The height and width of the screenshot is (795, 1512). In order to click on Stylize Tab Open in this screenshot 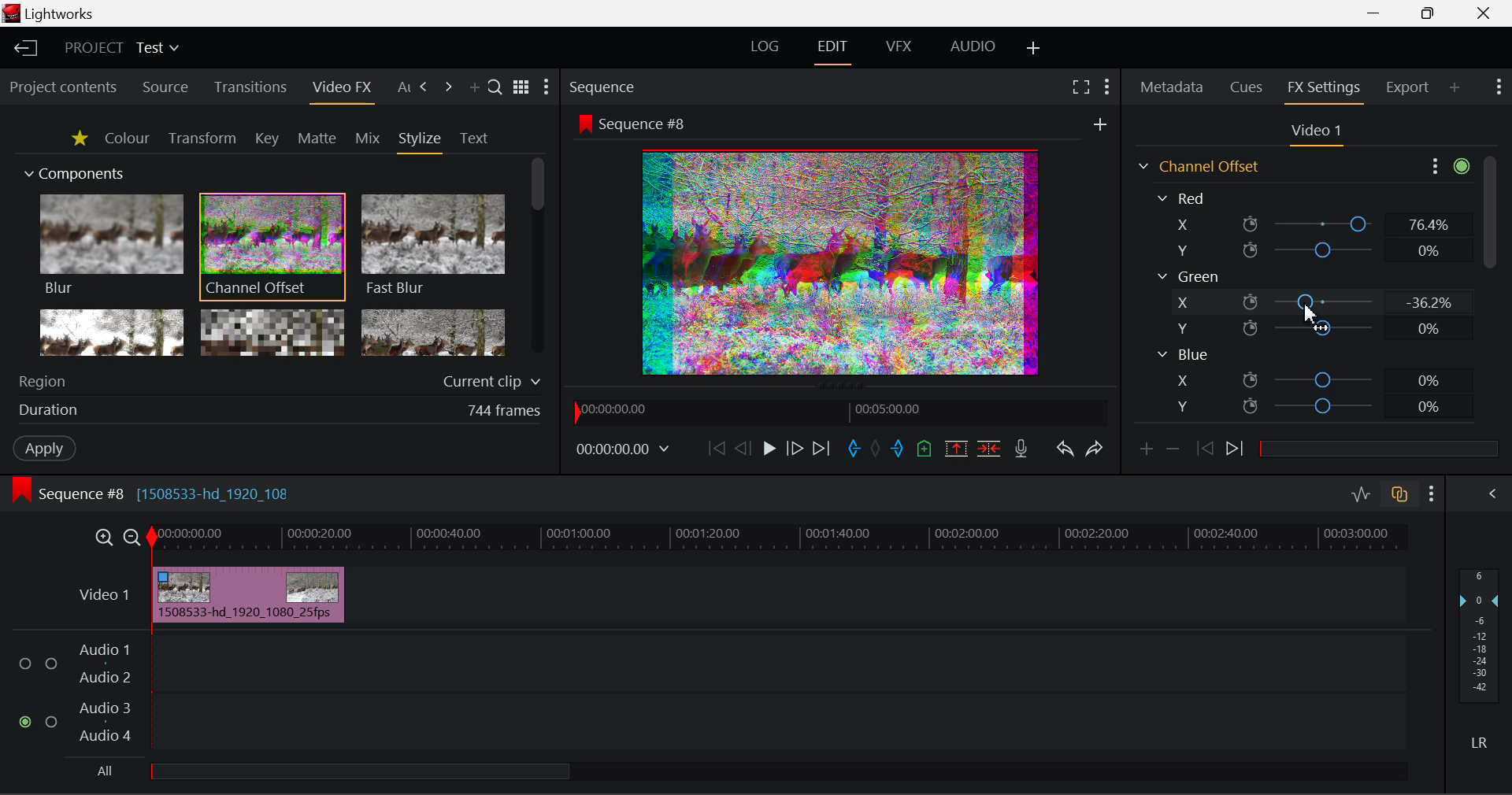, I will do `click(419, 142)`.